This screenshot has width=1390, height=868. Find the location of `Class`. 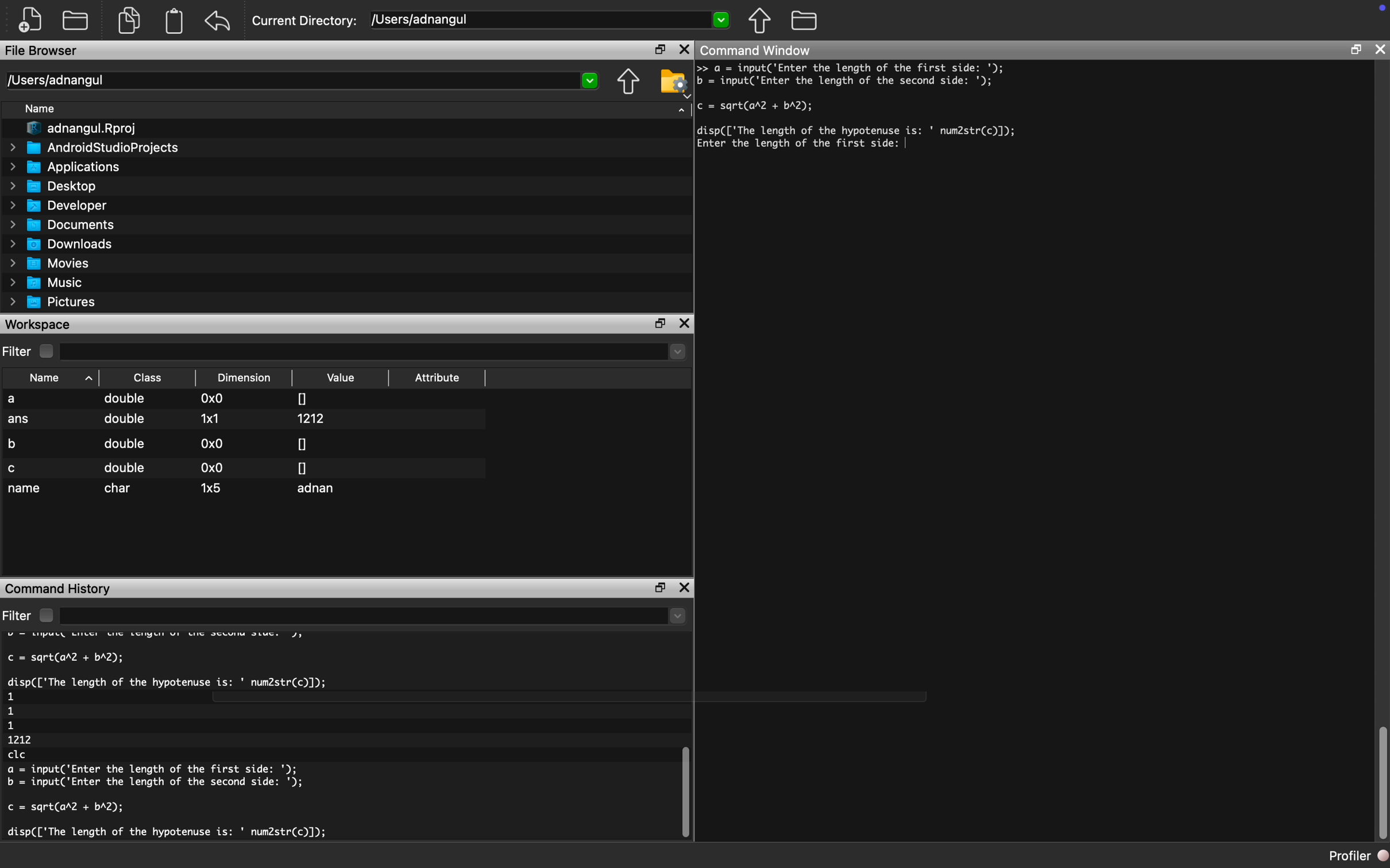

Class is located at coordinates (148, 377).